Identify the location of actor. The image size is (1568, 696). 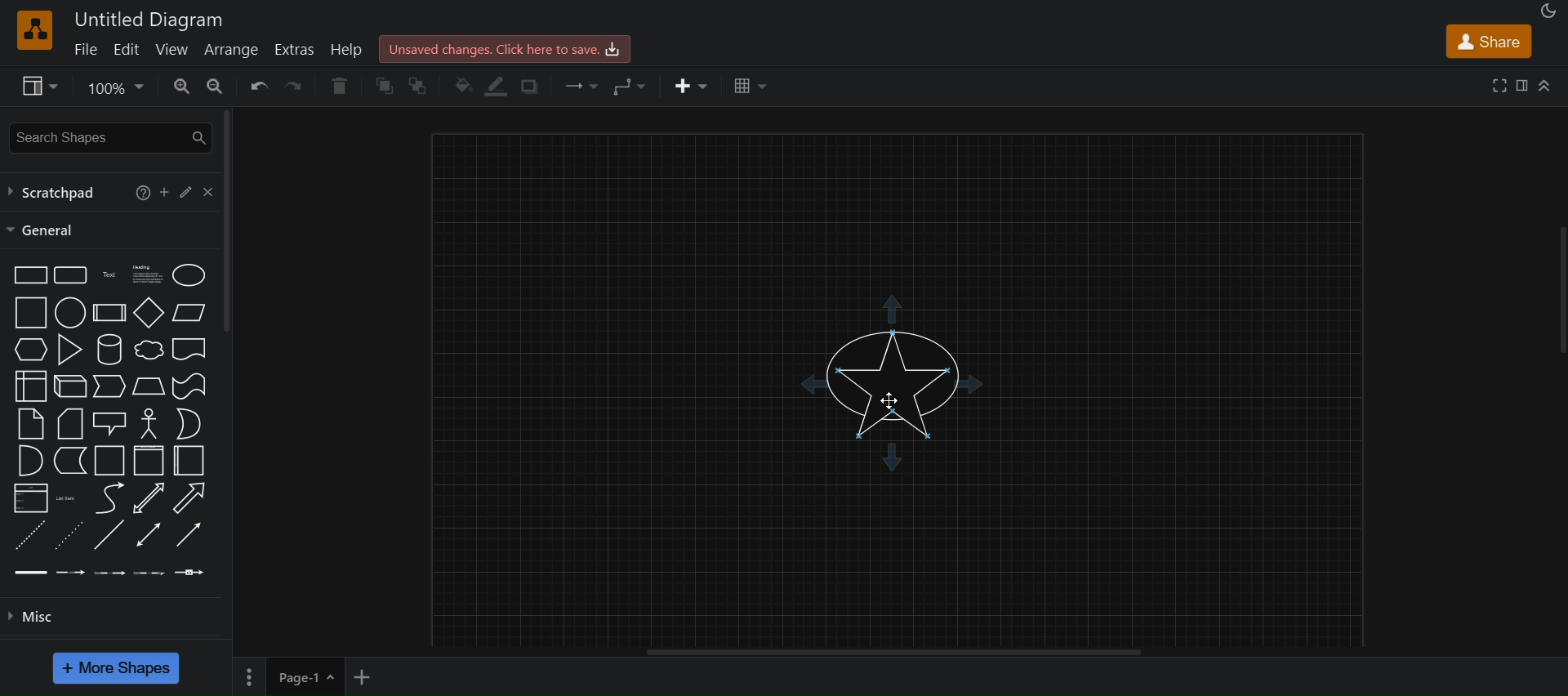
(149, 423).